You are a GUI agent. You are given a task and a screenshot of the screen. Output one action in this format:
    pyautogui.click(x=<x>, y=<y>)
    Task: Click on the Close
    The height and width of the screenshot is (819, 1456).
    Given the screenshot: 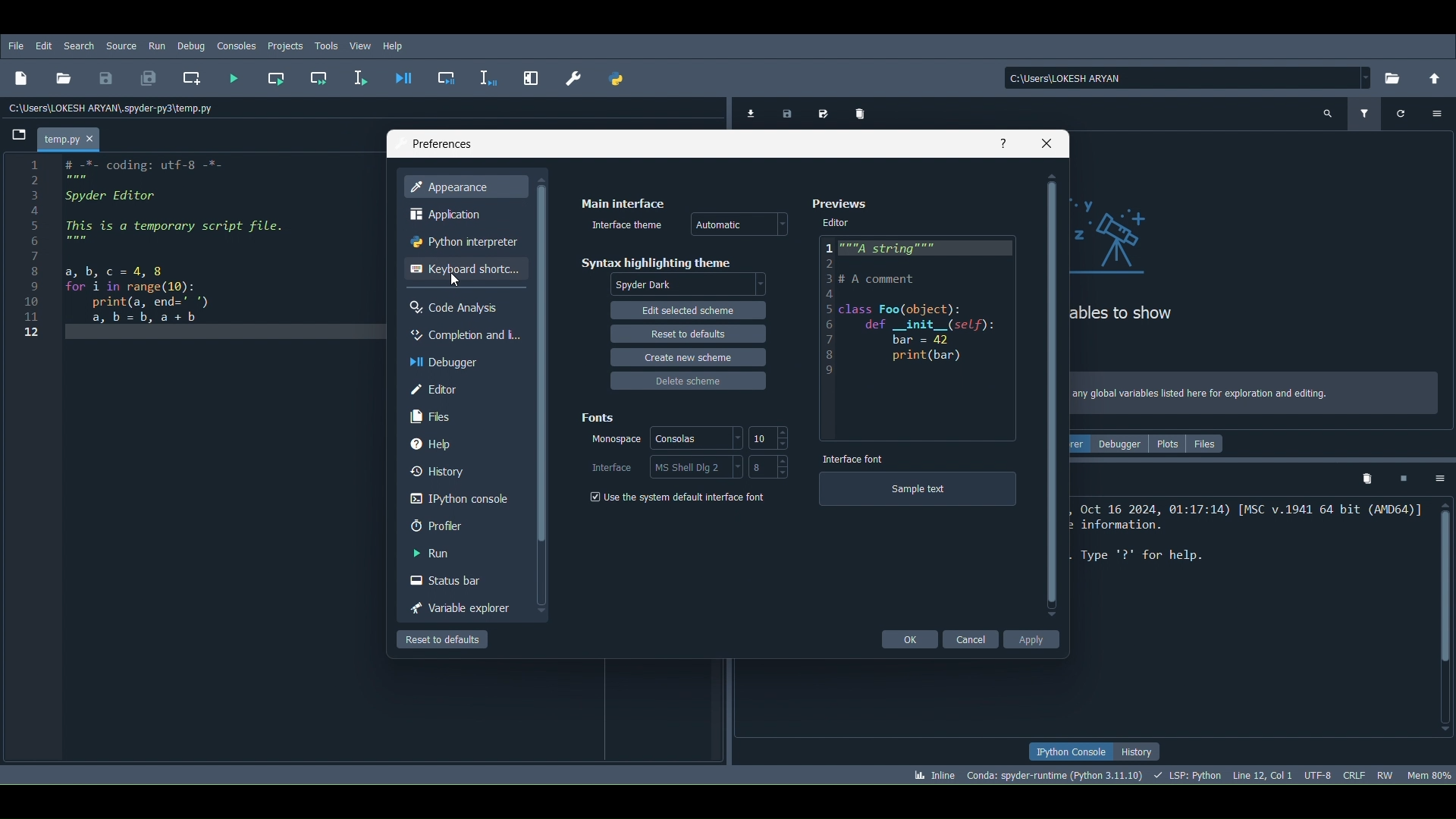 What is the action you would take?
    pyautogui.click(x=1046, y=141)
    